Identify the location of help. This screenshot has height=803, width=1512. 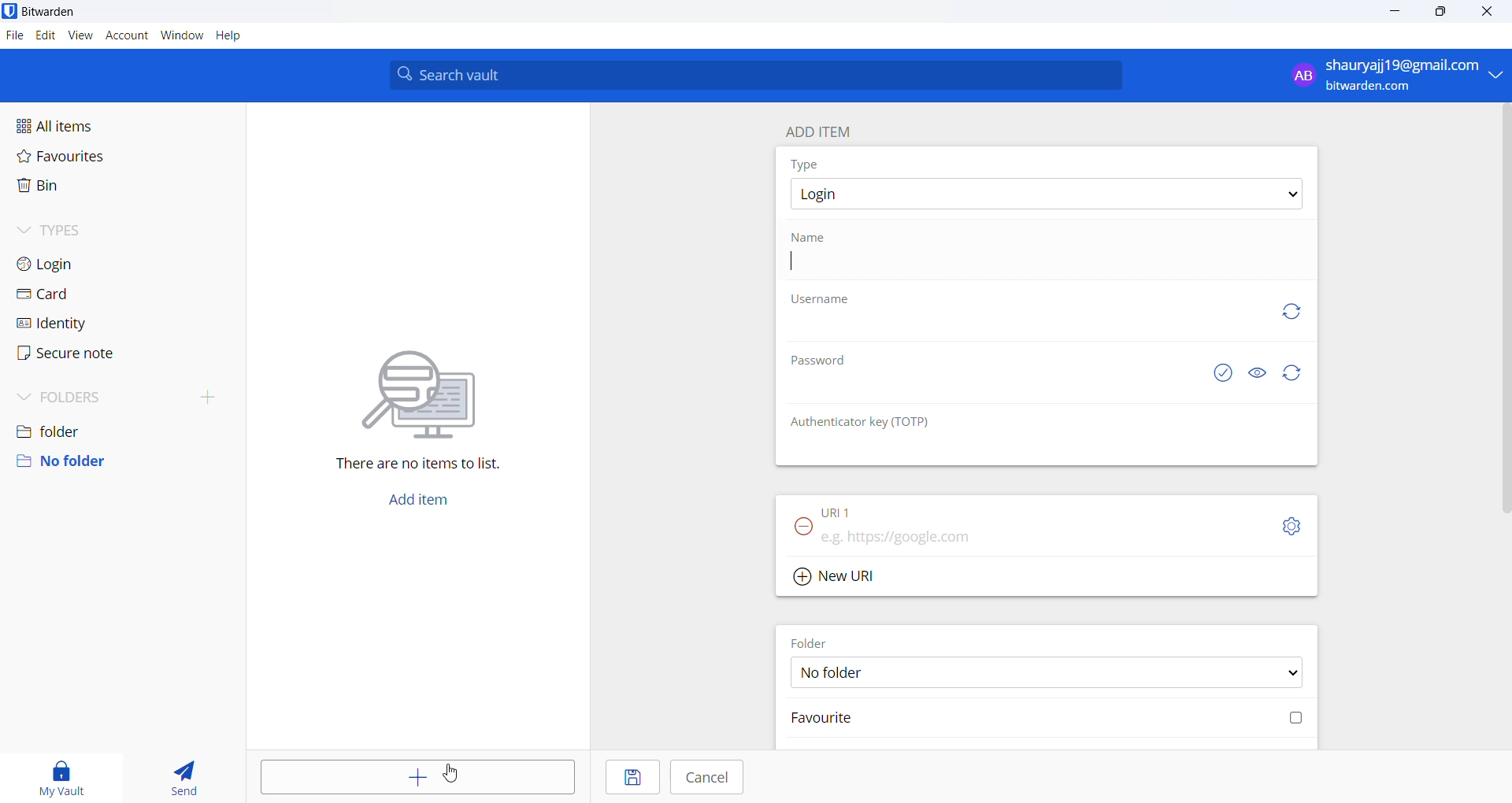
(231, 37).